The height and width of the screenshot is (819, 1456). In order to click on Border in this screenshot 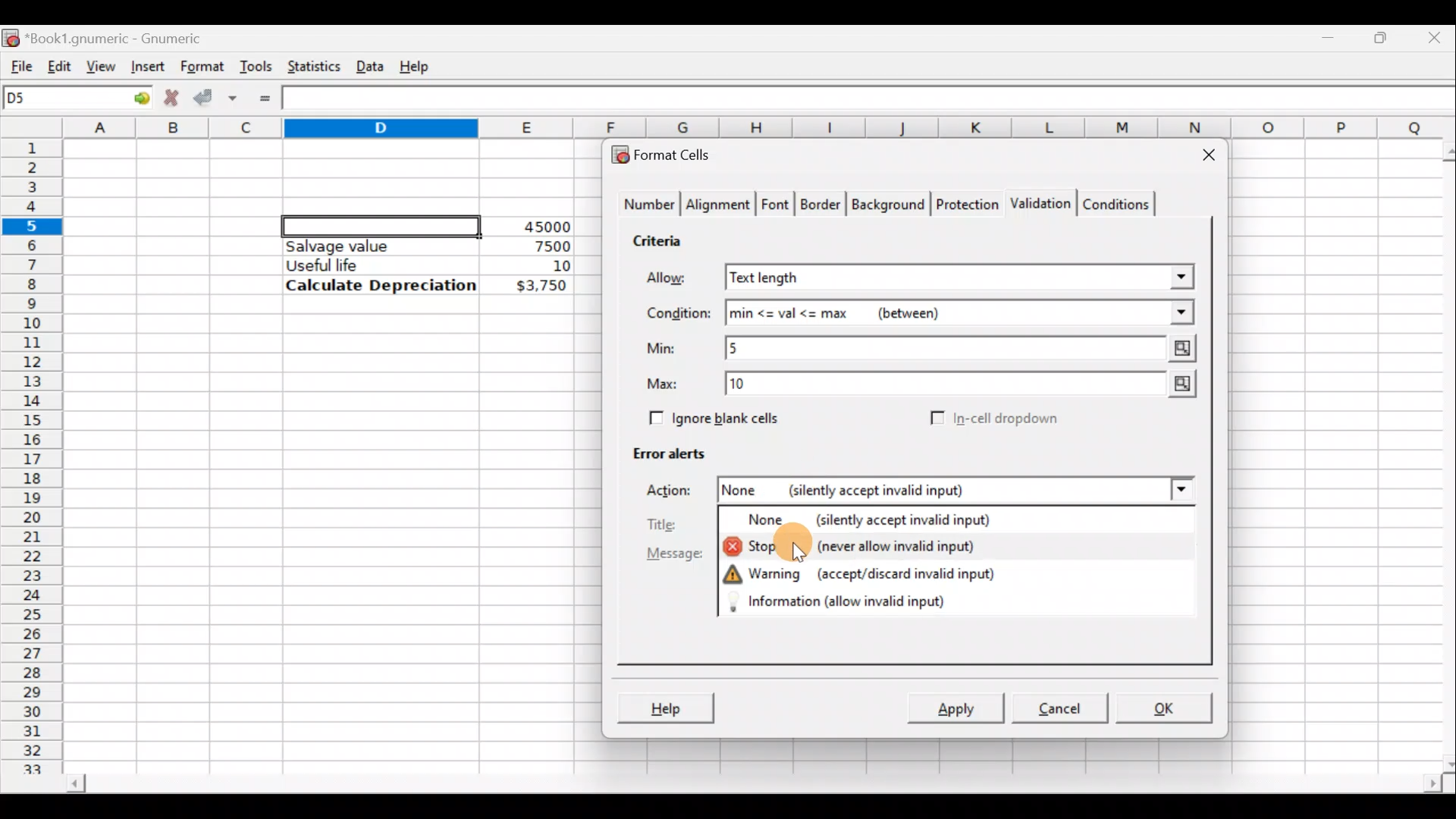, I will do `click(822, 208)`.